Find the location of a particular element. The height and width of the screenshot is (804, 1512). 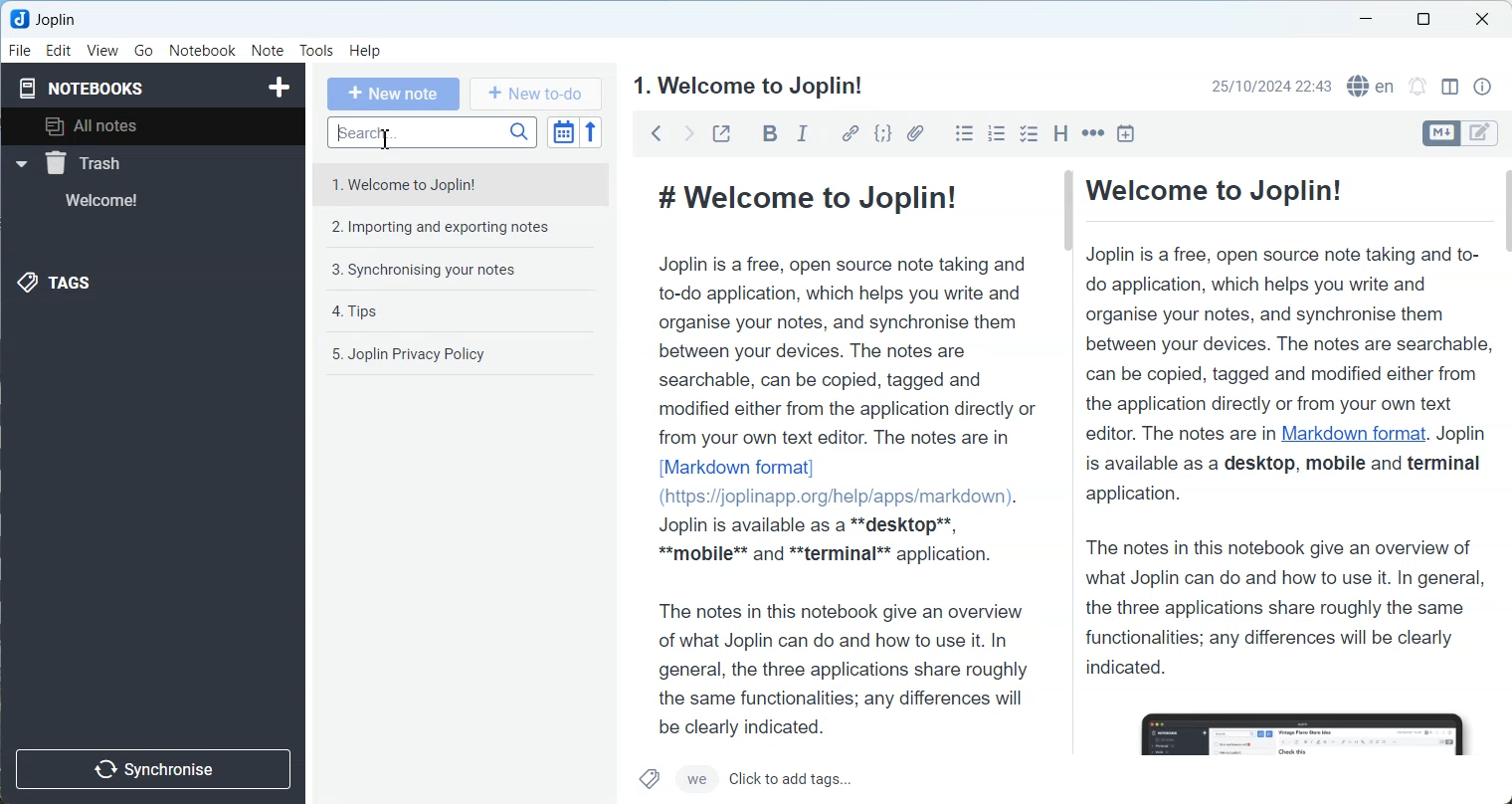

Tips is located at coordinates (466, 312).